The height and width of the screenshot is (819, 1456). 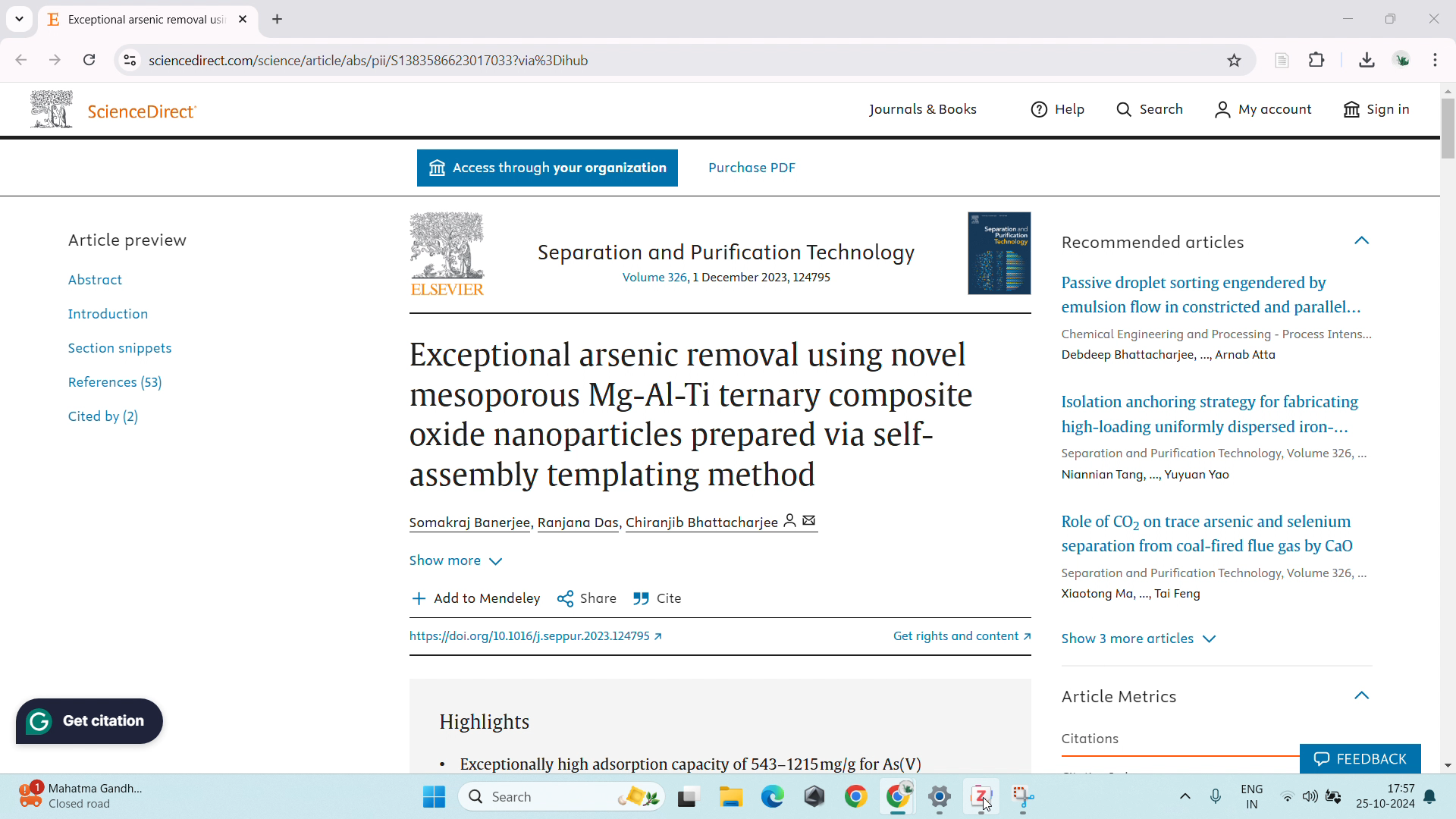 What do you see at coordinates (104, 312) in the screenshot?
I see `Introduction` at bounding box center [104, 312].